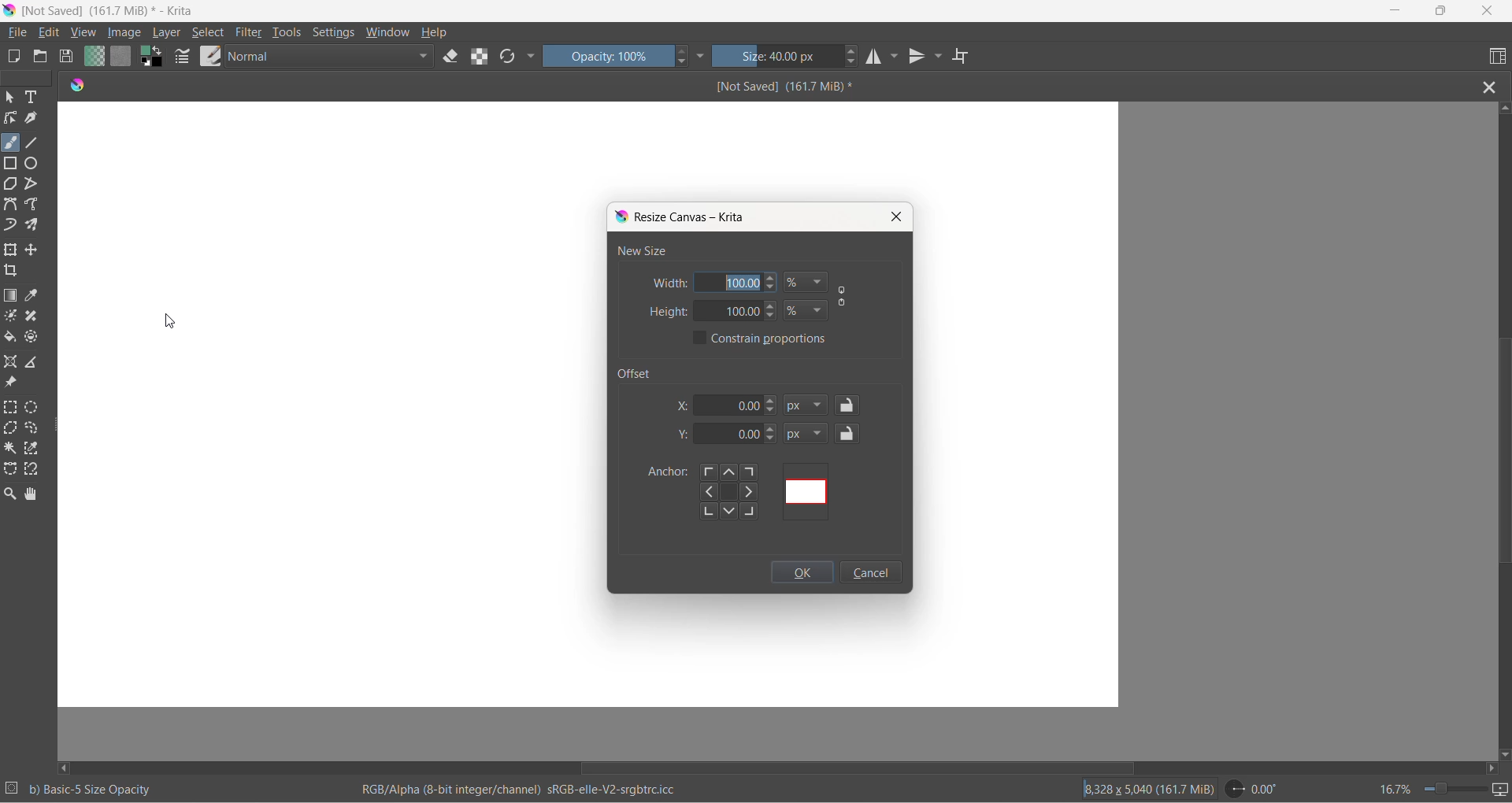  What do you see at coordinates (1503, 454) in the screenshot?
I see `vertical scroll bar` at bounding box center [1503, 454].